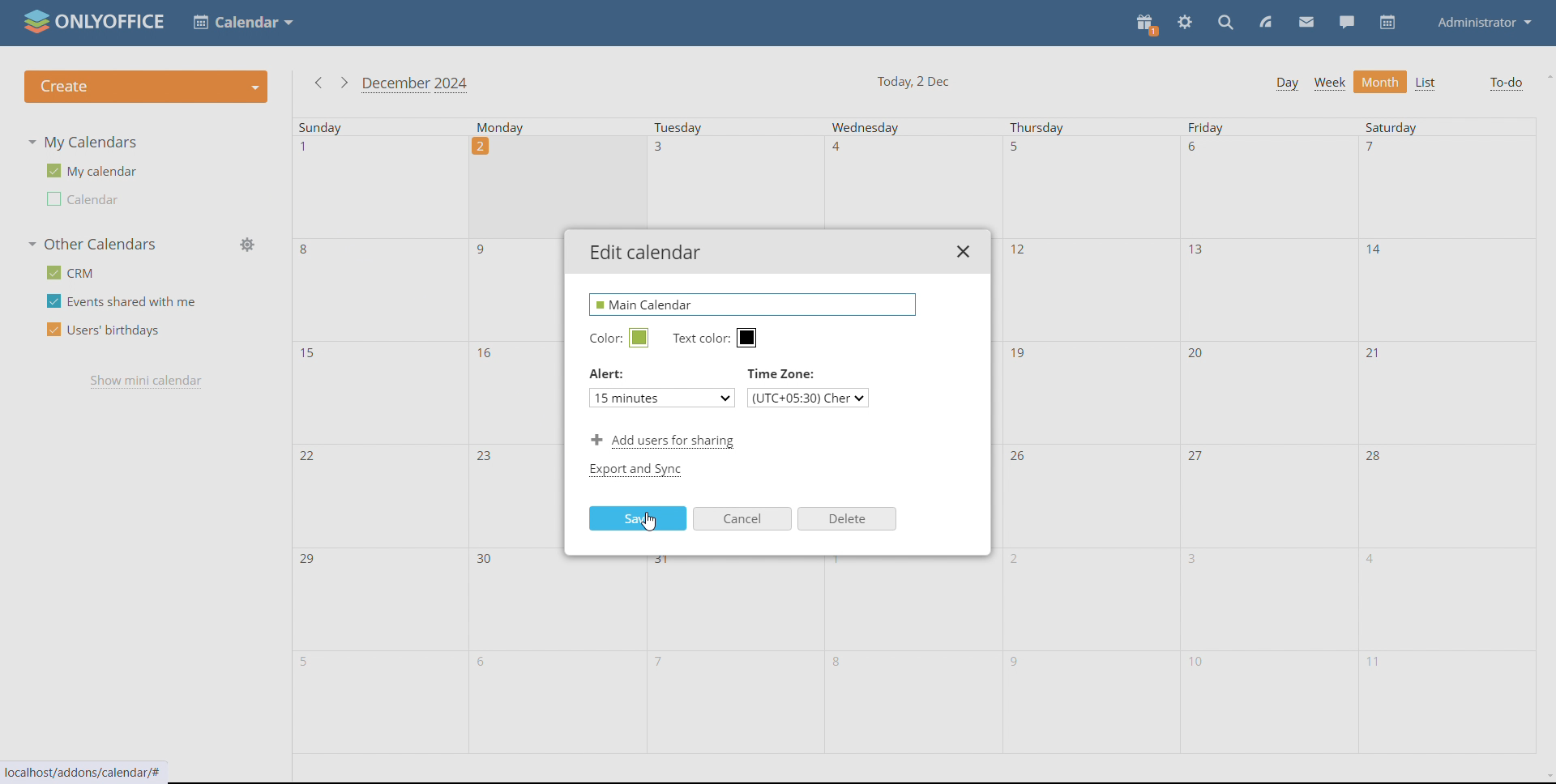 This screenshot has height=784, width=1556. What do you see at coordinates (1387, 23) in the screenshot?
I see `calendar` at bounding box center [1387, 23].